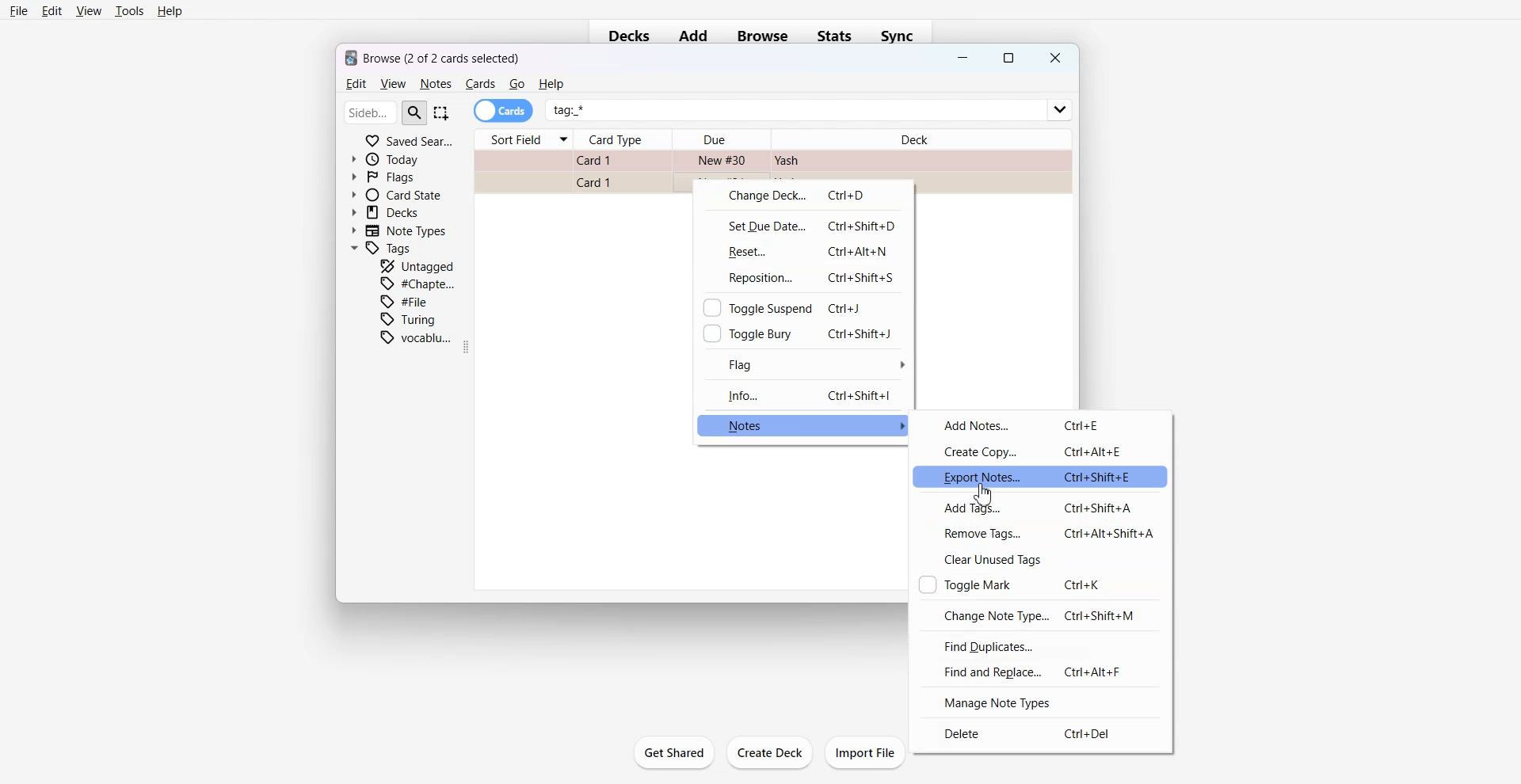 This screenshot has height=784, width=1521. What do you see at coordinates (920, 135) in the screenshot?
I see `Deck` at bounding box center [920, 135].